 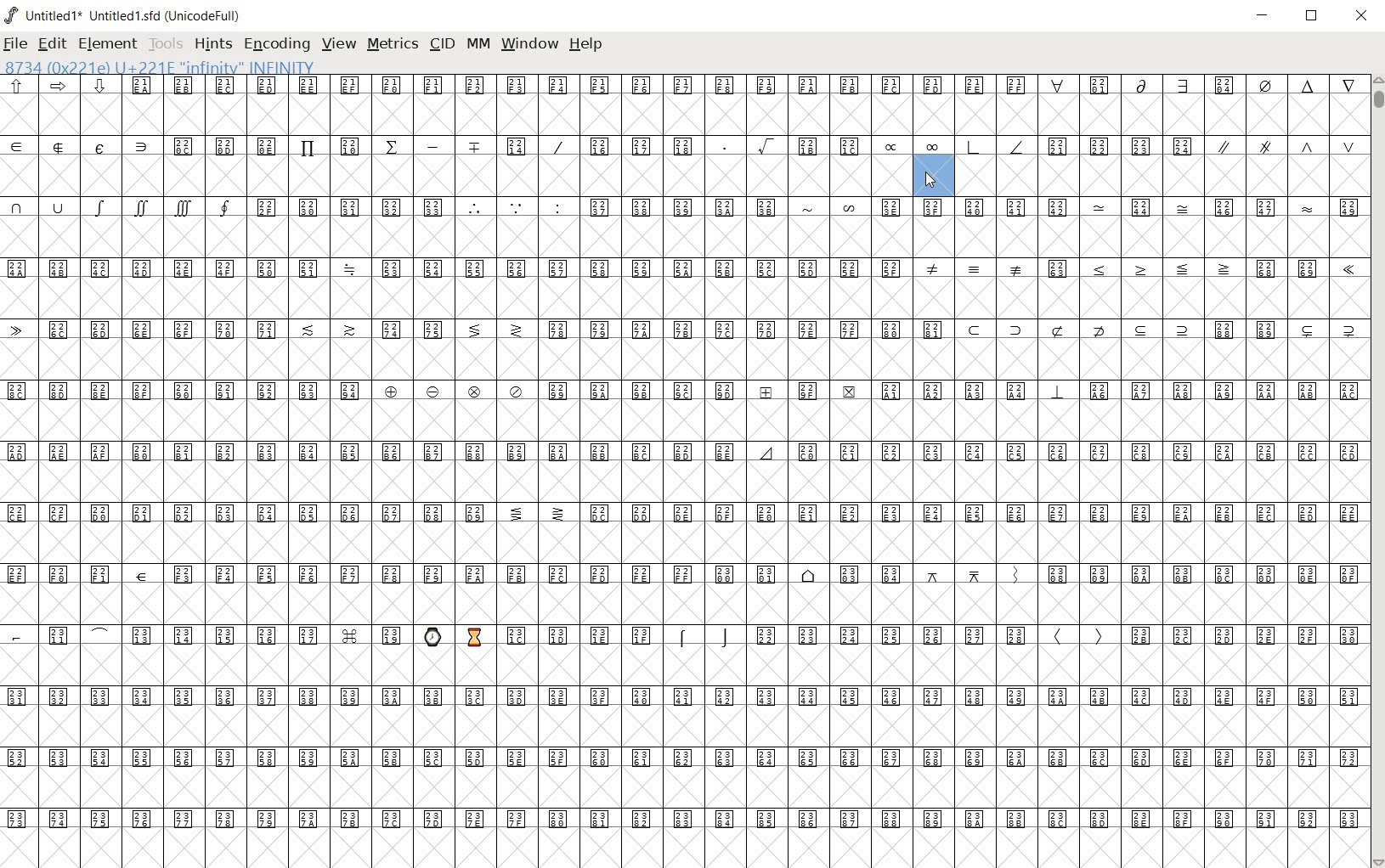 What do you see at coordinates (685, 391) in the screenshot?
I see `Unicode code points` at bounding box center [685, 391].